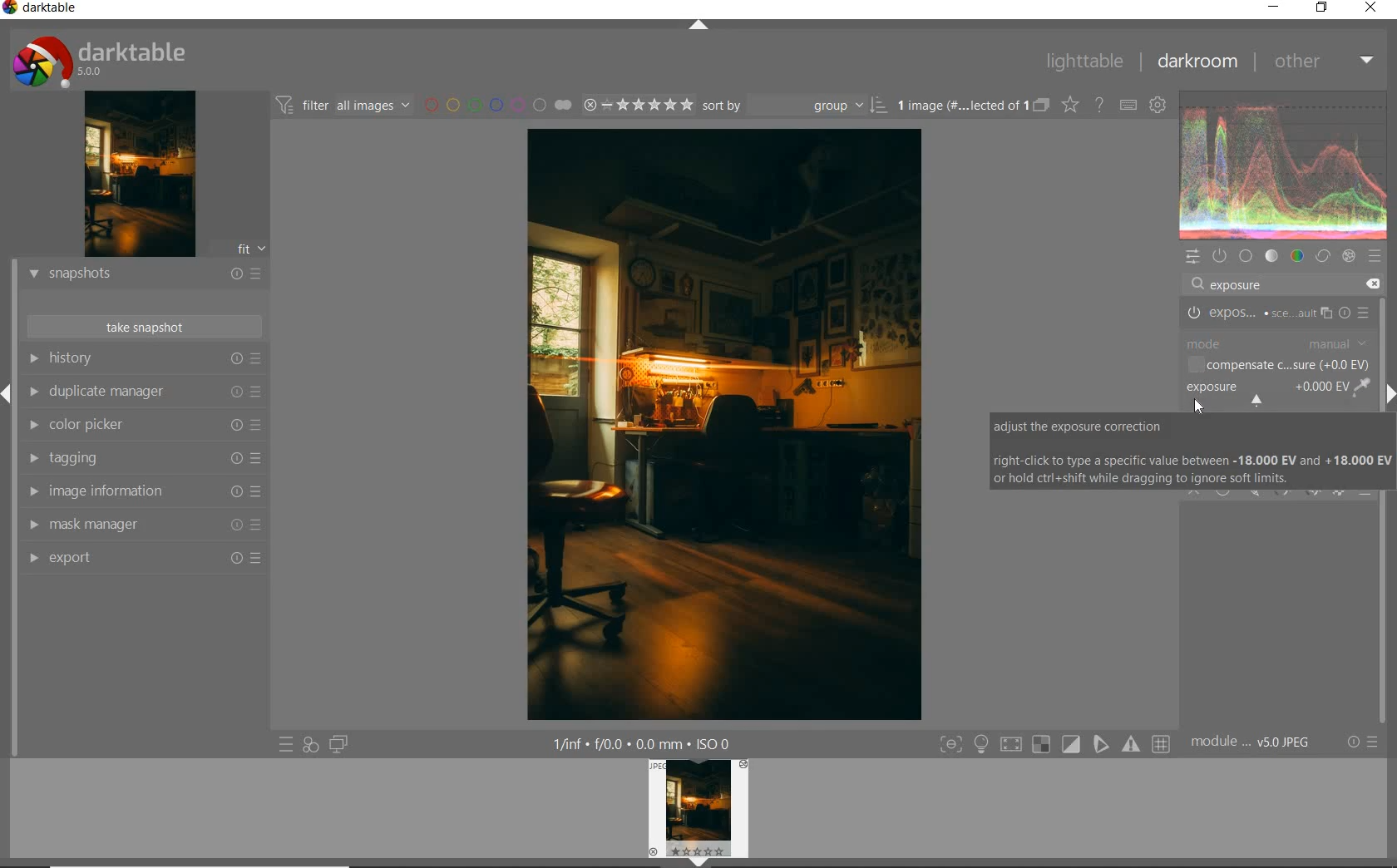 The image size is (1397, 868). I want to click on exposure, so click(1234, 283).